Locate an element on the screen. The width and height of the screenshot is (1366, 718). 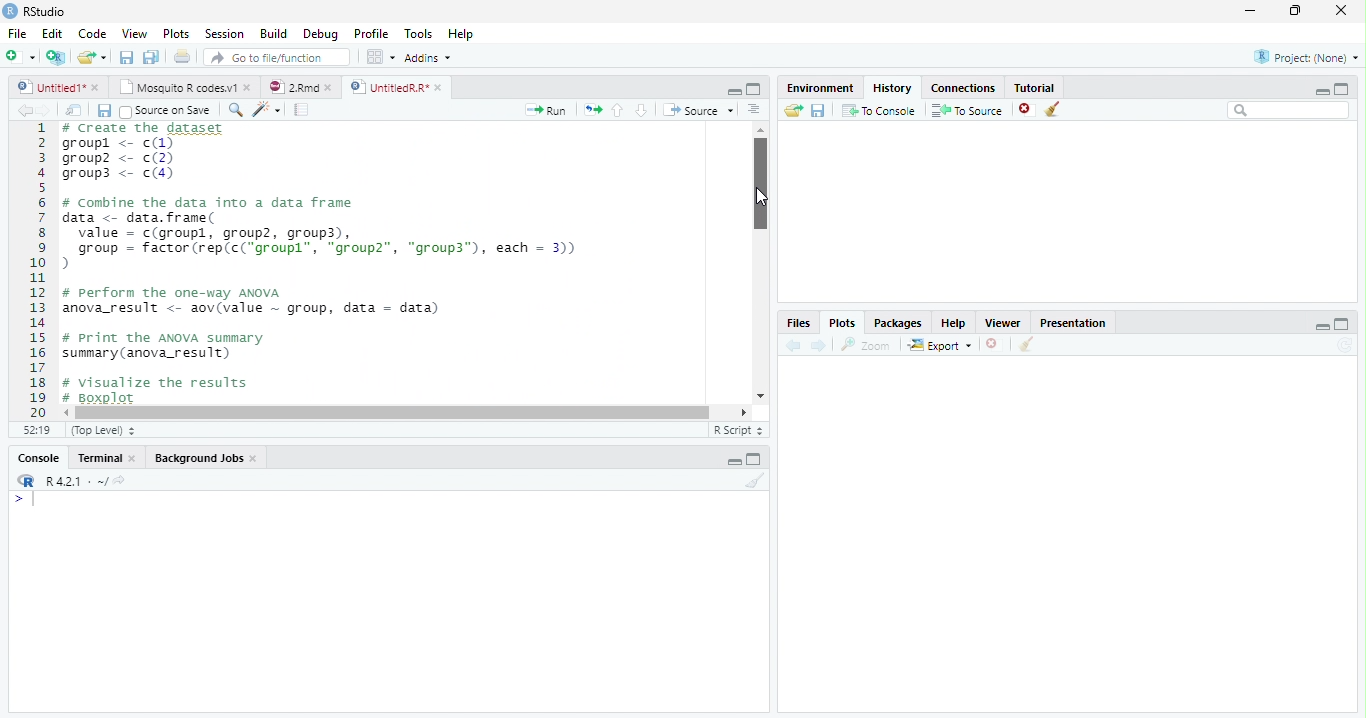
Alignment is located at coordinates (753, 111).